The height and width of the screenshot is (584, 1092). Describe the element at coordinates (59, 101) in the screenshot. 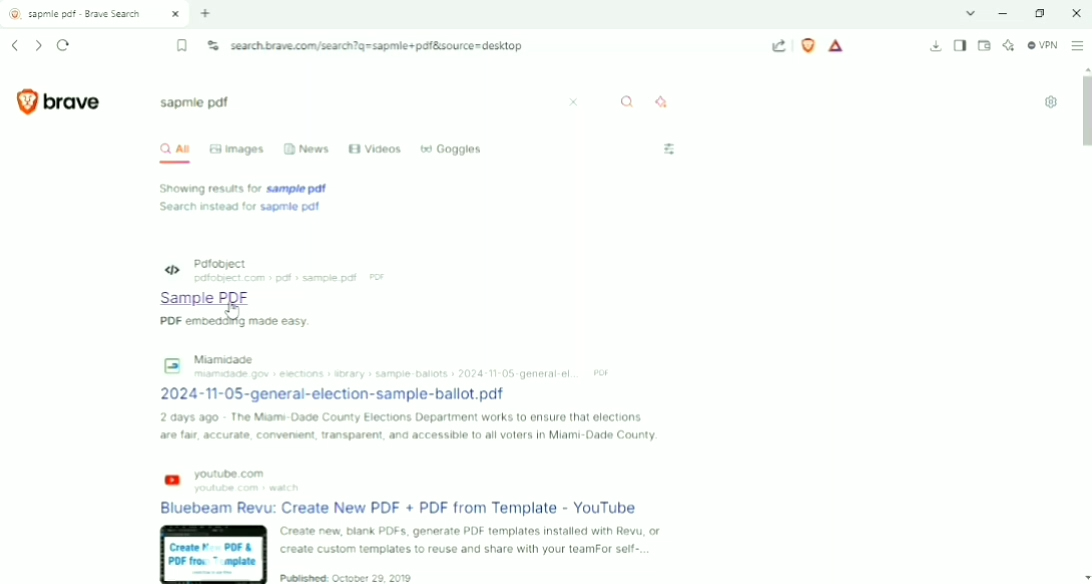

I see `brave logo` at that location.